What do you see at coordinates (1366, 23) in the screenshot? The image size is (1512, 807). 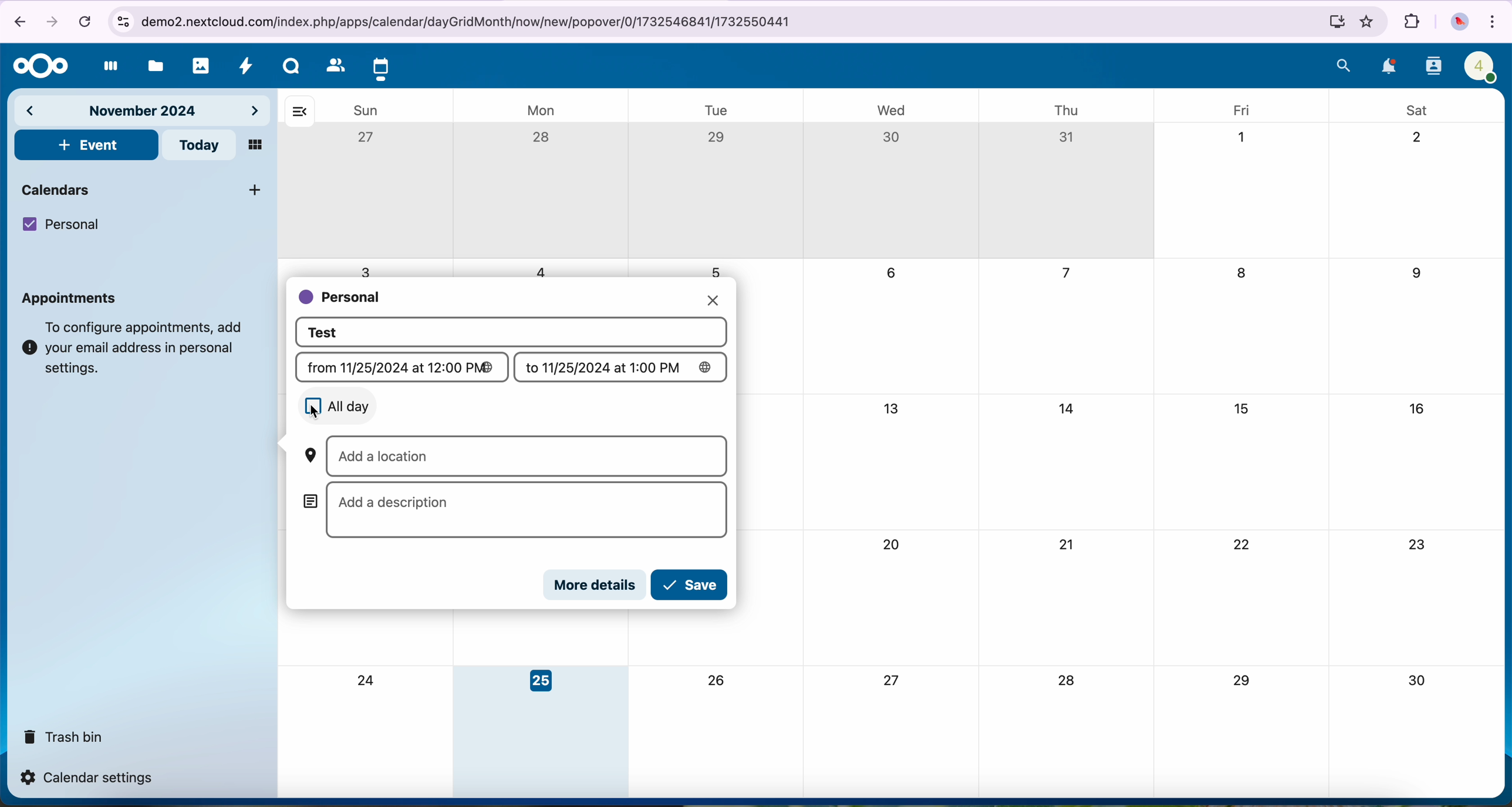 I see `favorites` at bounding box center [1366, 23].